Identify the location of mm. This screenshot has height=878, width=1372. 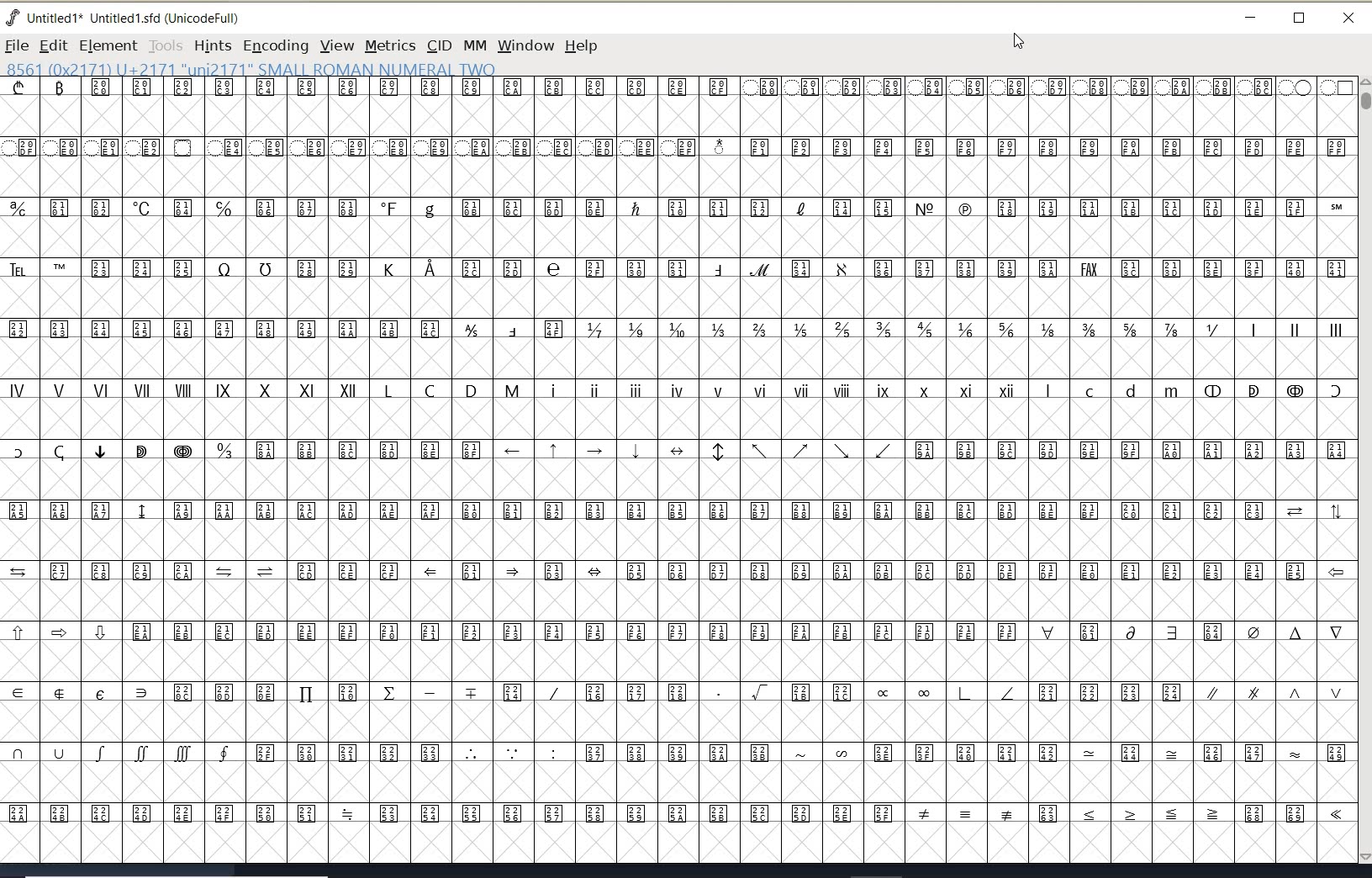
(473, 43).